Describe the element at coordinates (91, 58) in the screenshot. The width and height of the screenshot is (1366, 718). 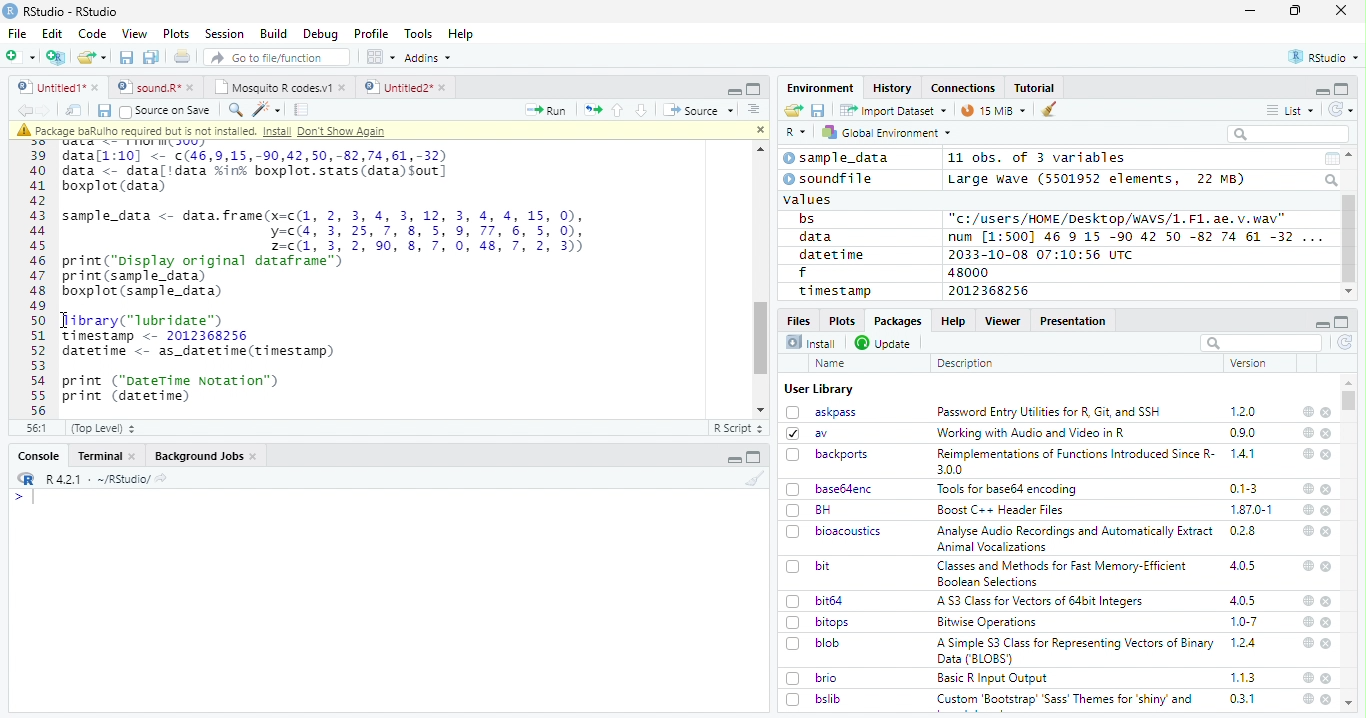
I see `open an existing file` at that location.